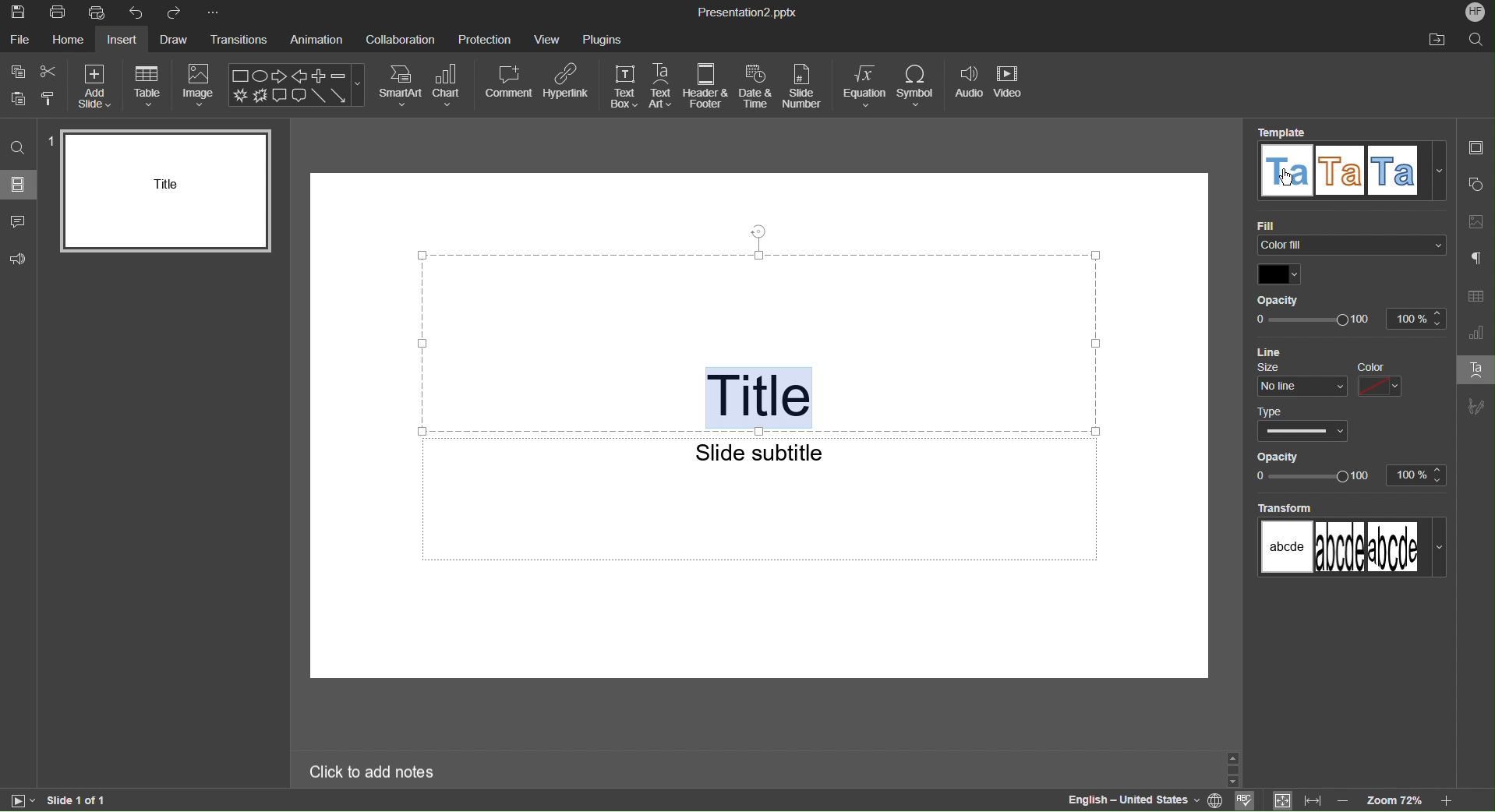 Image resolution: width=1495 pixels, height=812 pixels. What do you see at coordinates (569, 86) in the screenshot?
I see `Hyperlink` at bounding box center [569, 86].